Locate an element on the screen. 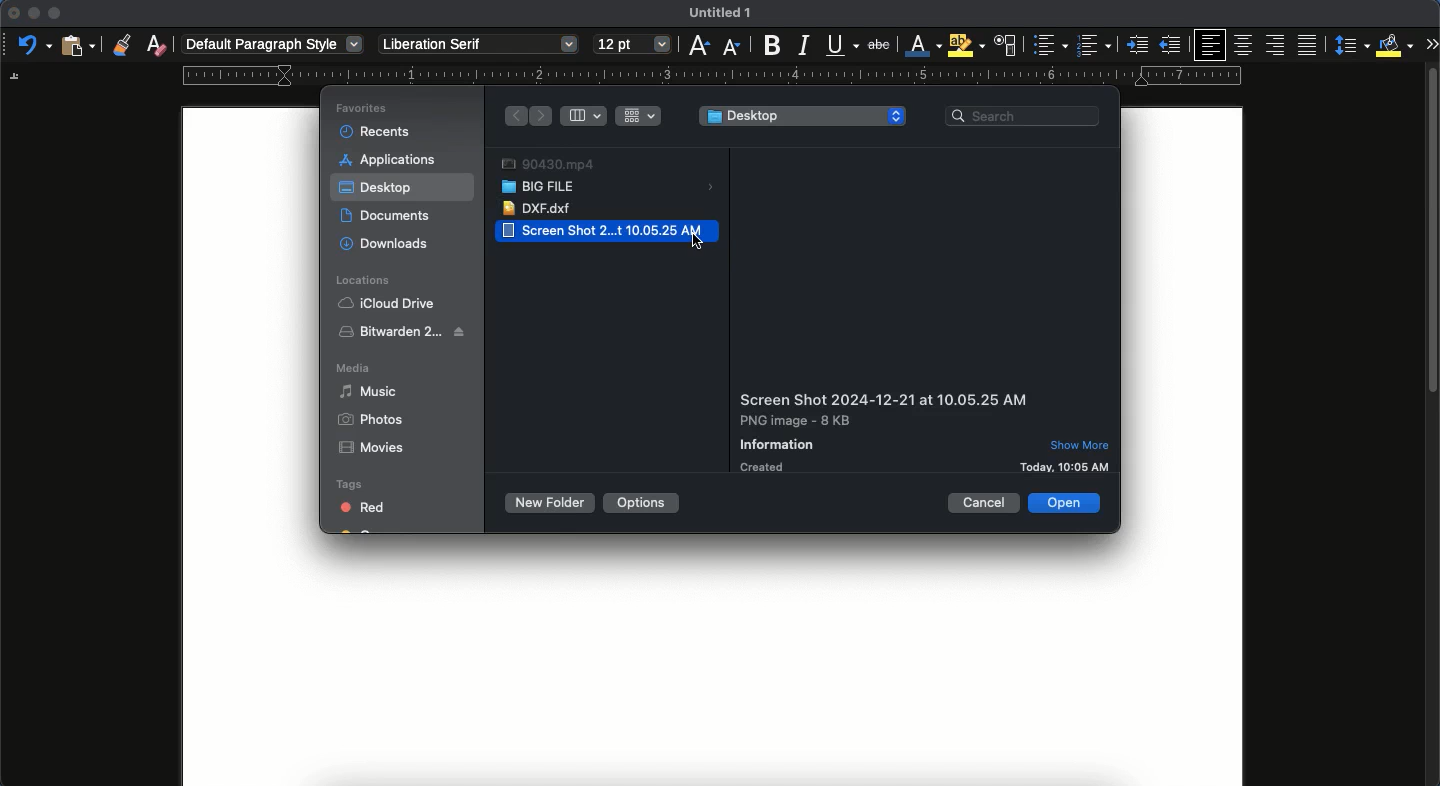 This screenshot has width=1440, height=786. cursor is located at coordinates (698, 242).